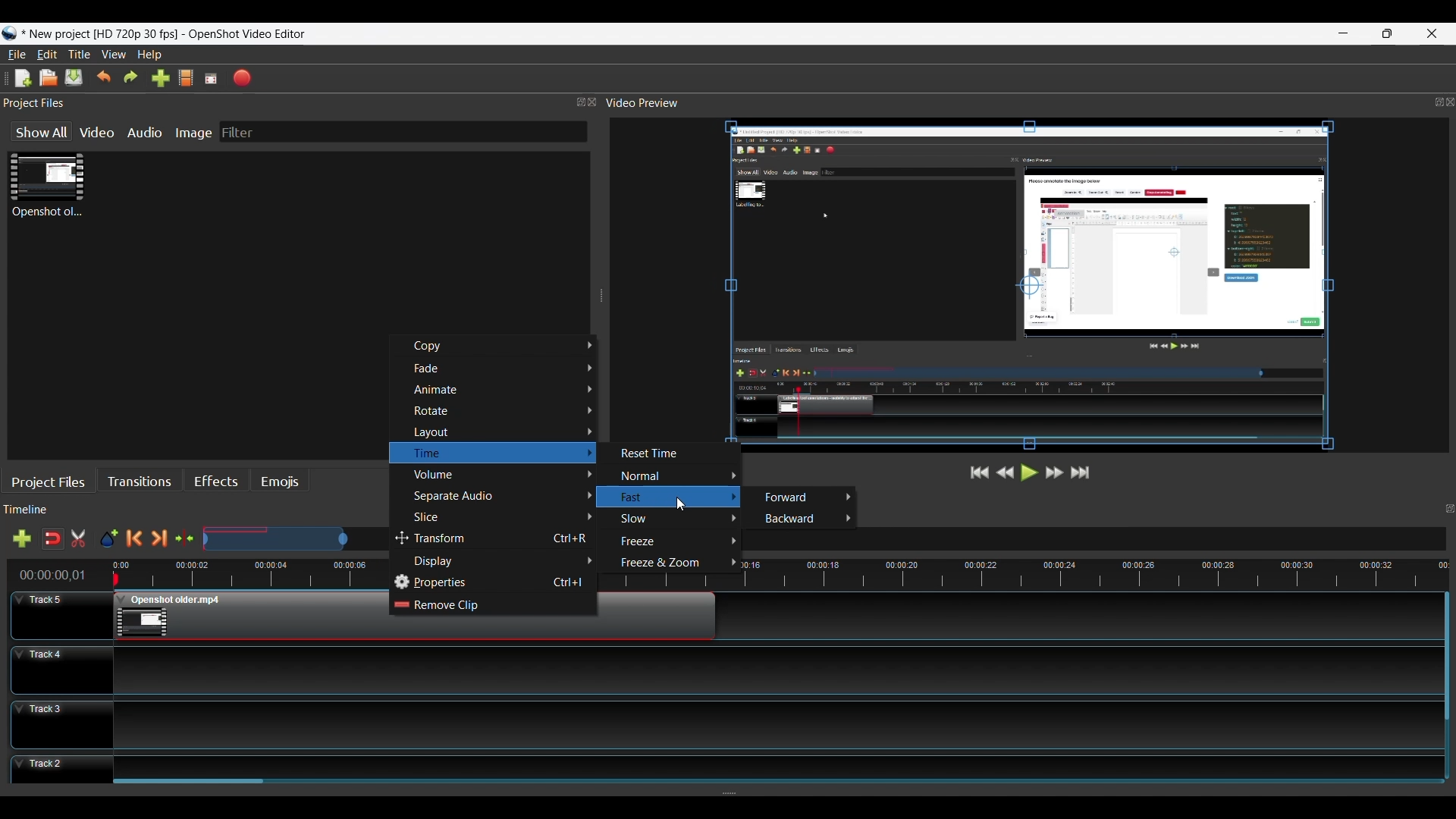  What do you see at coordinates (63, 723) in the screenshot?
I see `Track Header` at bounding box center [63, 723].